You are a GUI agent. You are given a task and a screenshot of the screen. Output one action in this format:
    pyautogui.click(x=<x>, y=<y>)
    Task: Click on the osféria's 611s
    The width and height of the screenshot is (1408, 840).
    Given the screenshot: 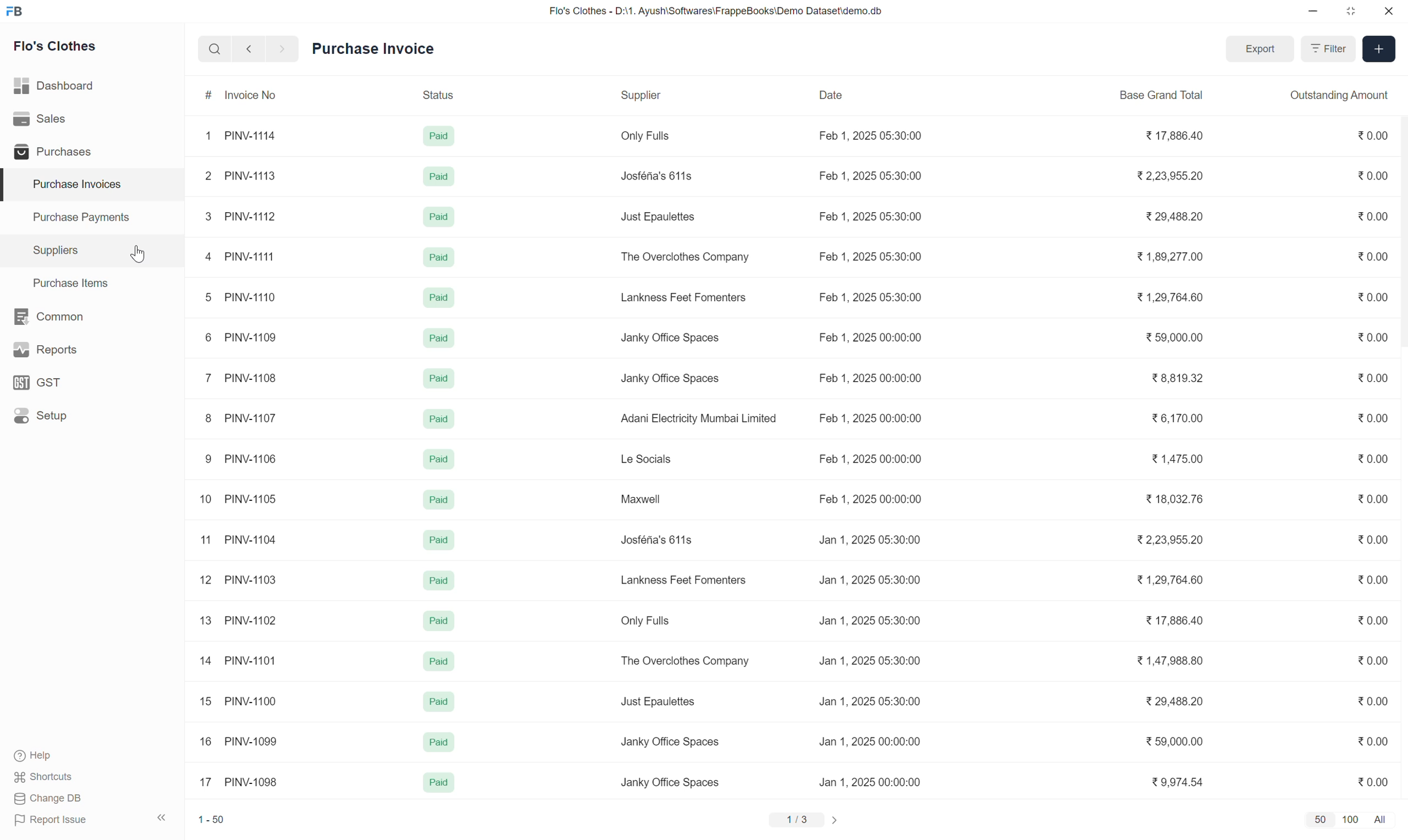 What is the action you would take?
    pyautogui.click(x=658, y=540)
    